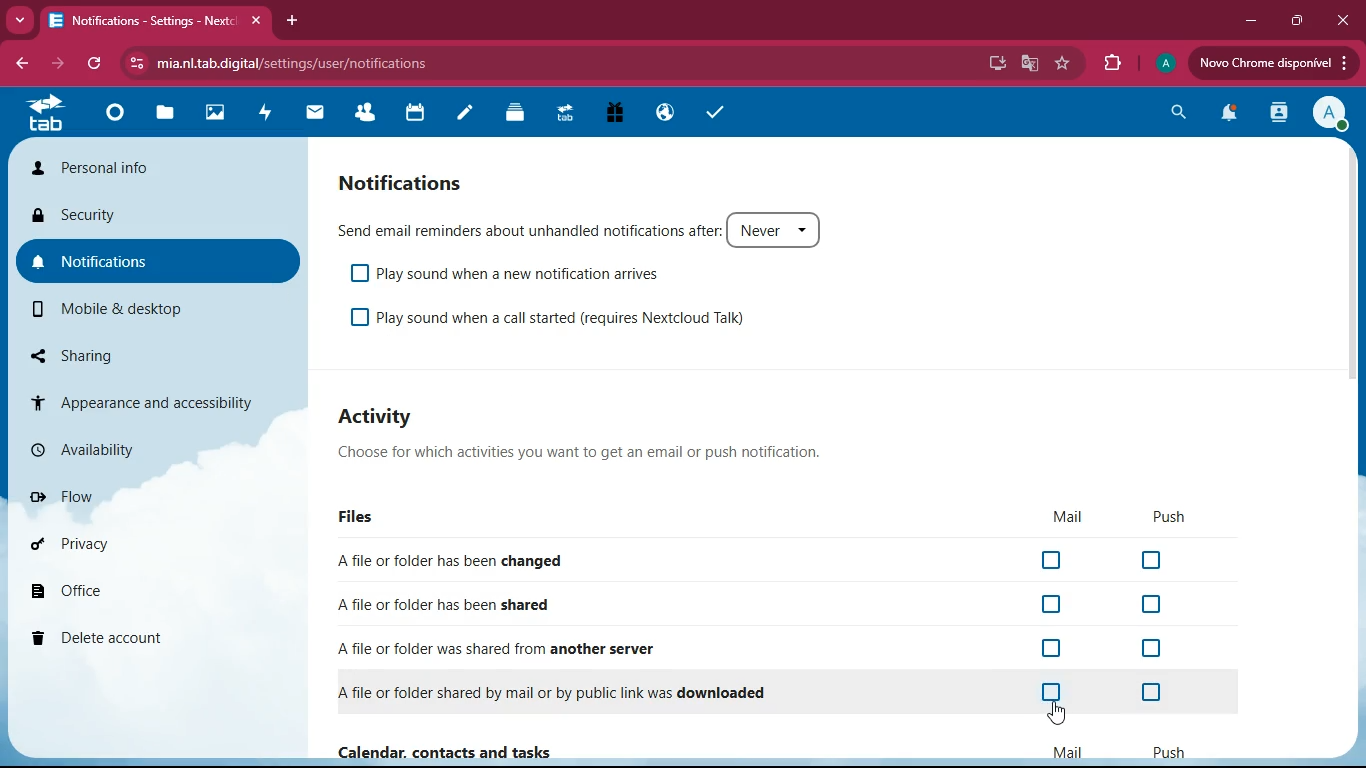  What do you see at coordinates (1168, 748) in the screenshot?
I see `push` at bounding box center [1168, 748].